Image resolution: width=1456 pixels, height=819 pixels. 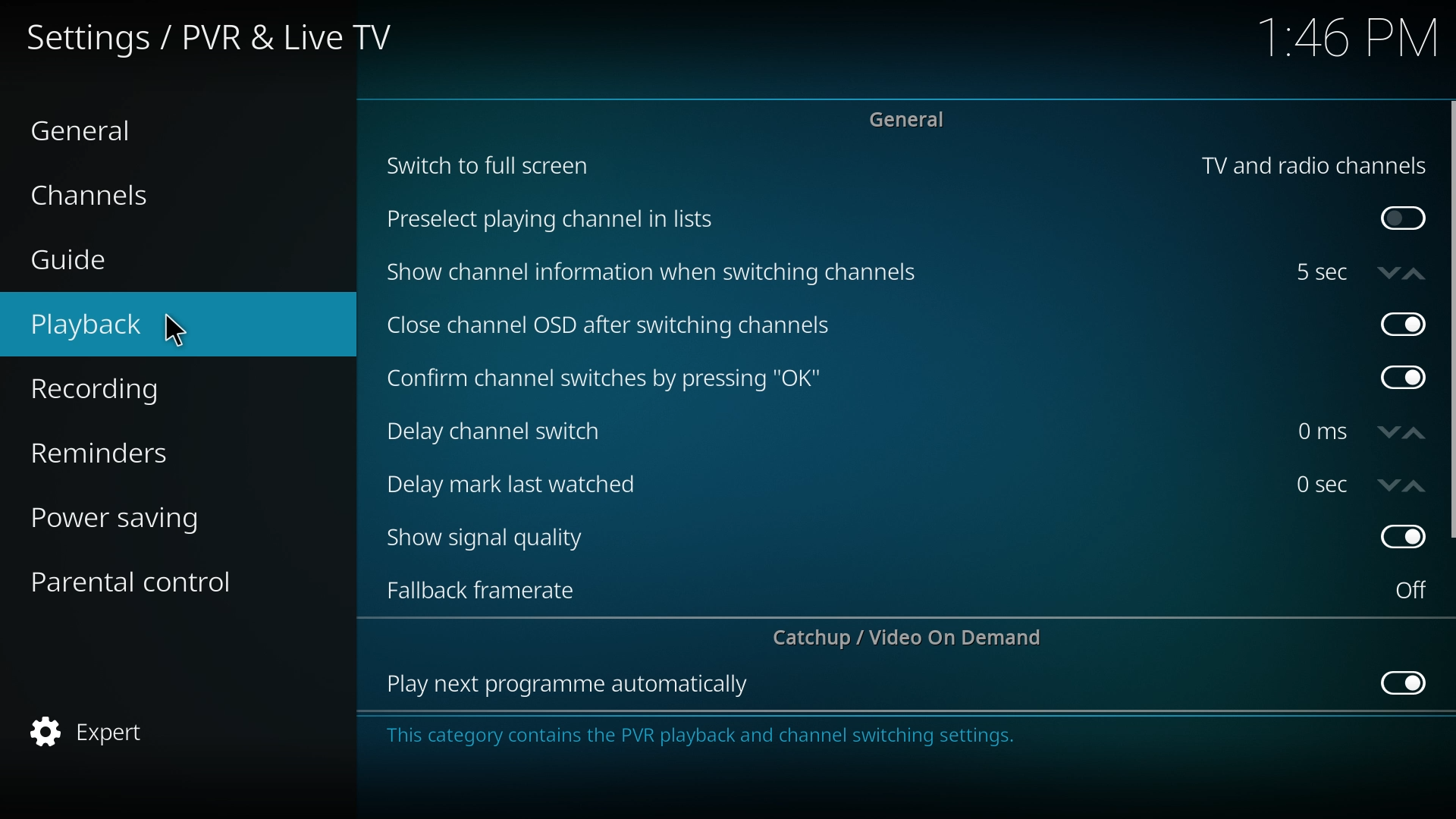 What do you see at coordinates (1402, 324) in the screenshot?
I see `off` at bounding box center [1402, 324].